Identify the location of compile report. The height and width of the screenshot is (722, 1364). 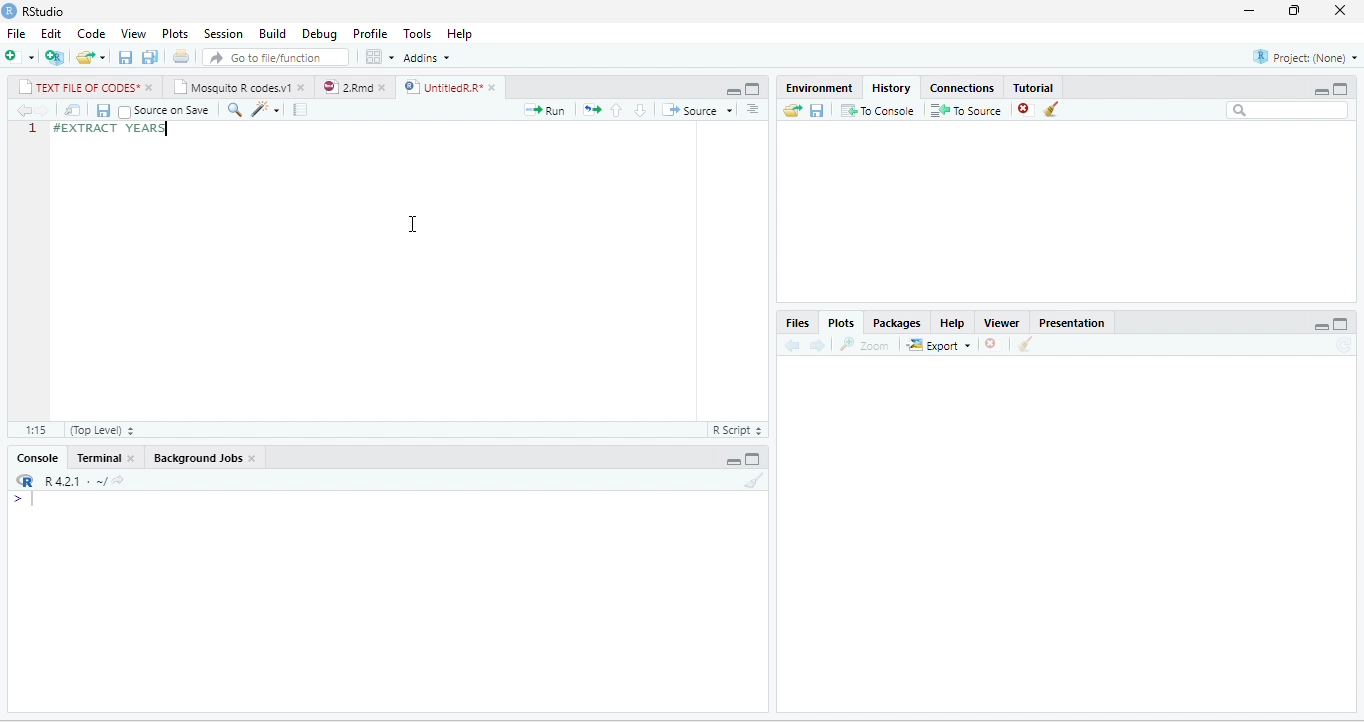
(300, 109).